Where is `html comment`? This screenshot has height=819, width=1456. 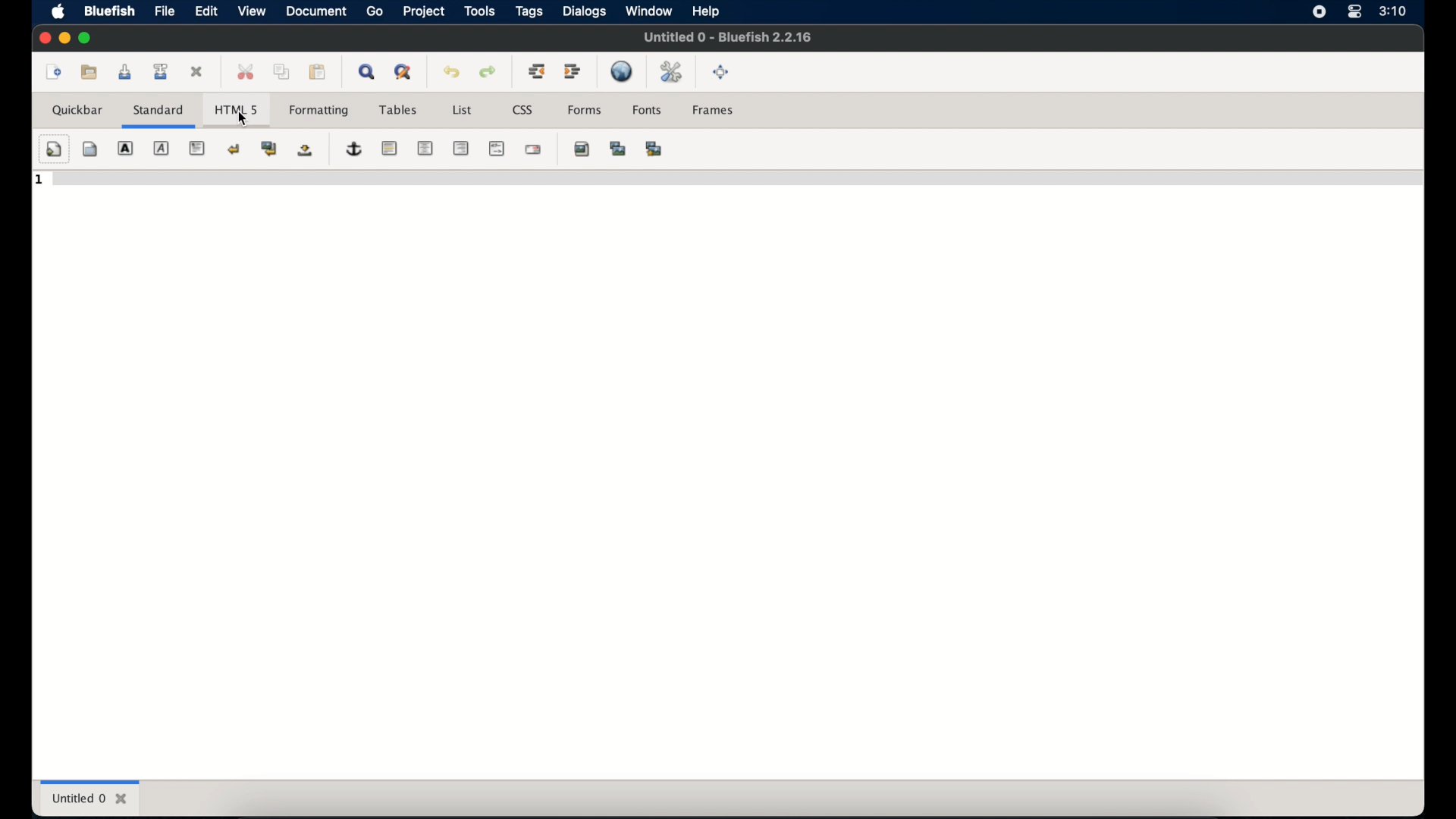
html comment is located at coordinates (497, 148).